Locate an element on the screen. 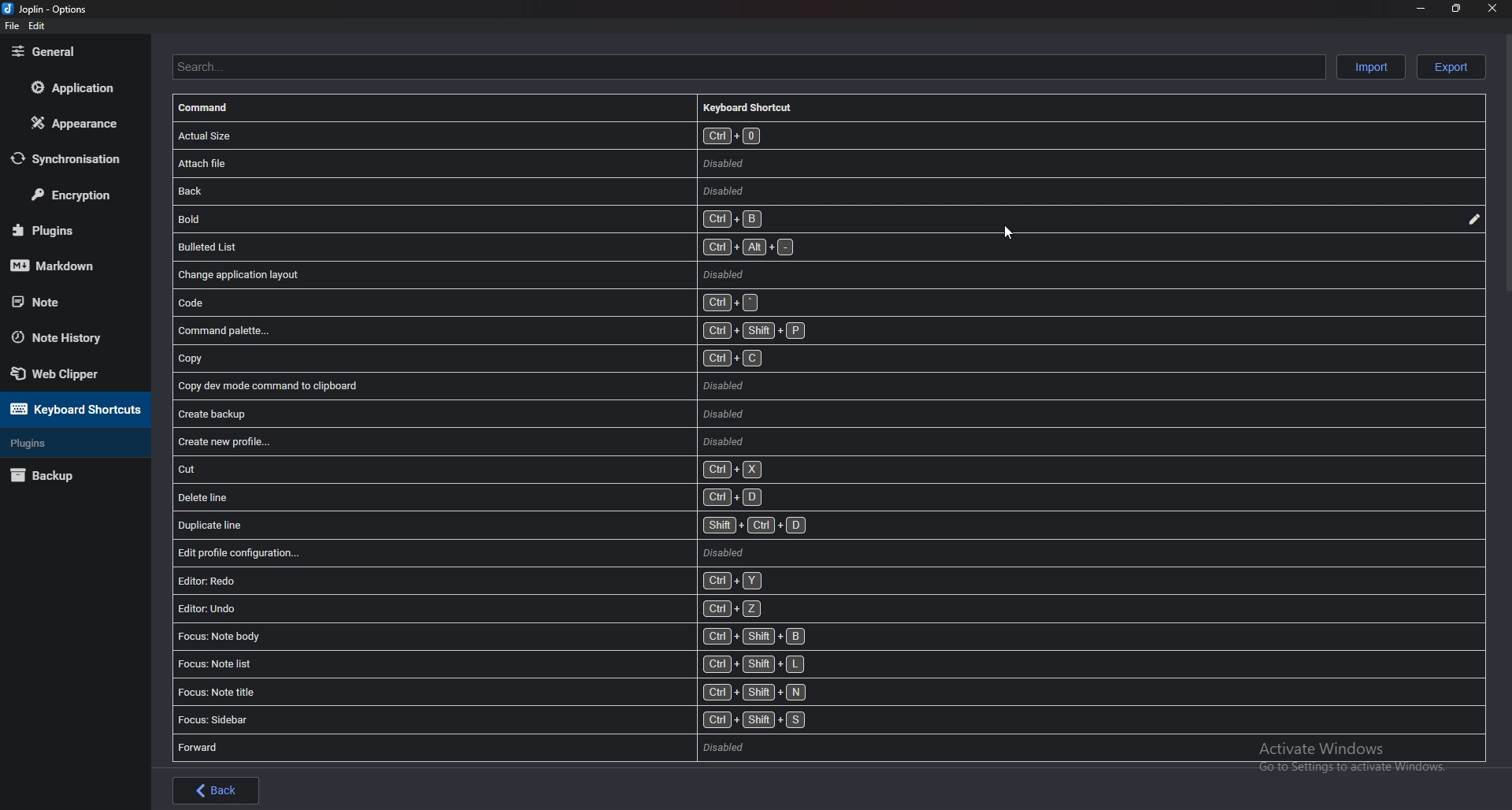  Focus sidebar is located at coordinates (495, 720).